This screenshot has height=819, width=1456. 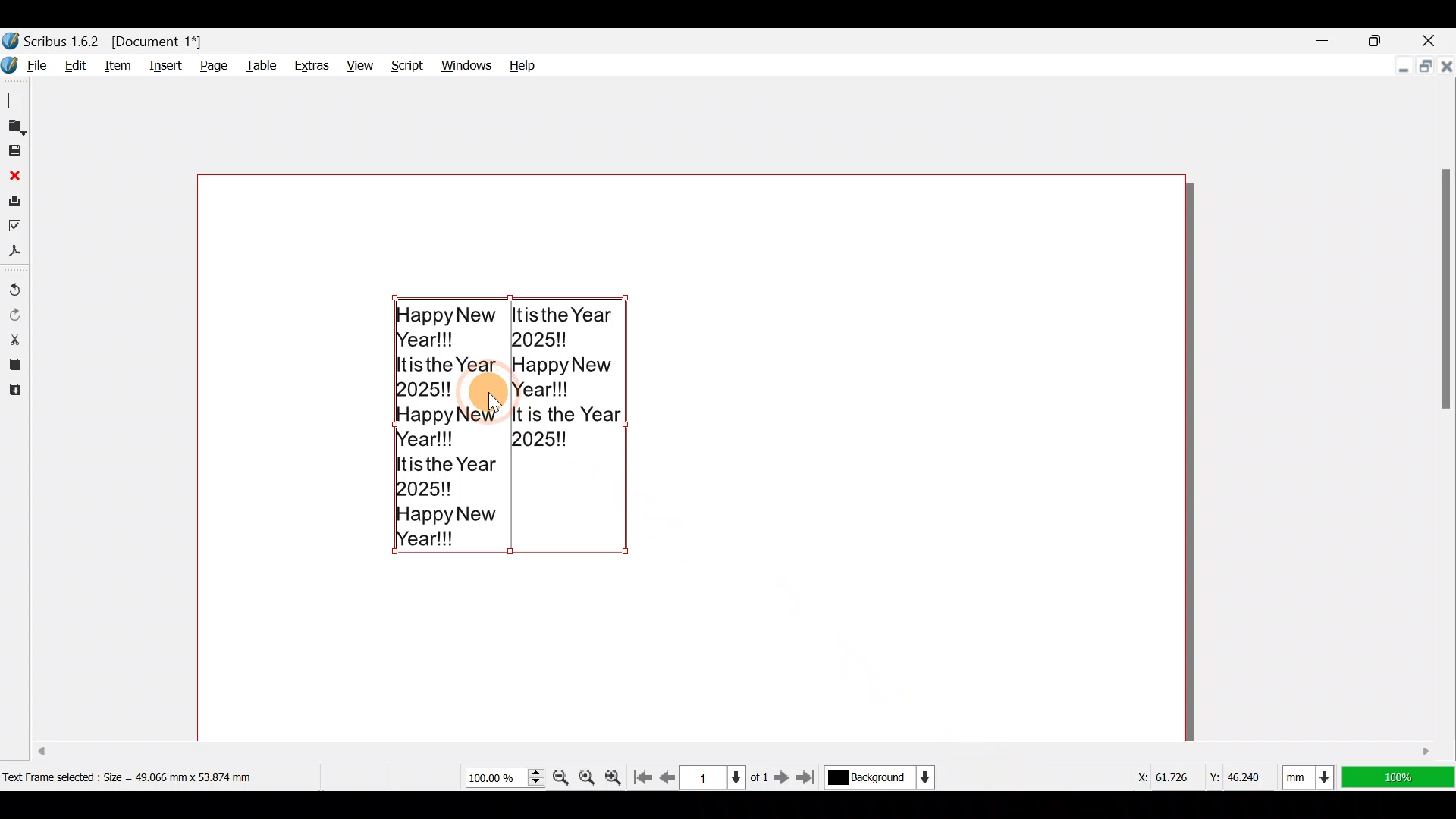 I want to click on Happy New Year, so click(x=508, y=422).